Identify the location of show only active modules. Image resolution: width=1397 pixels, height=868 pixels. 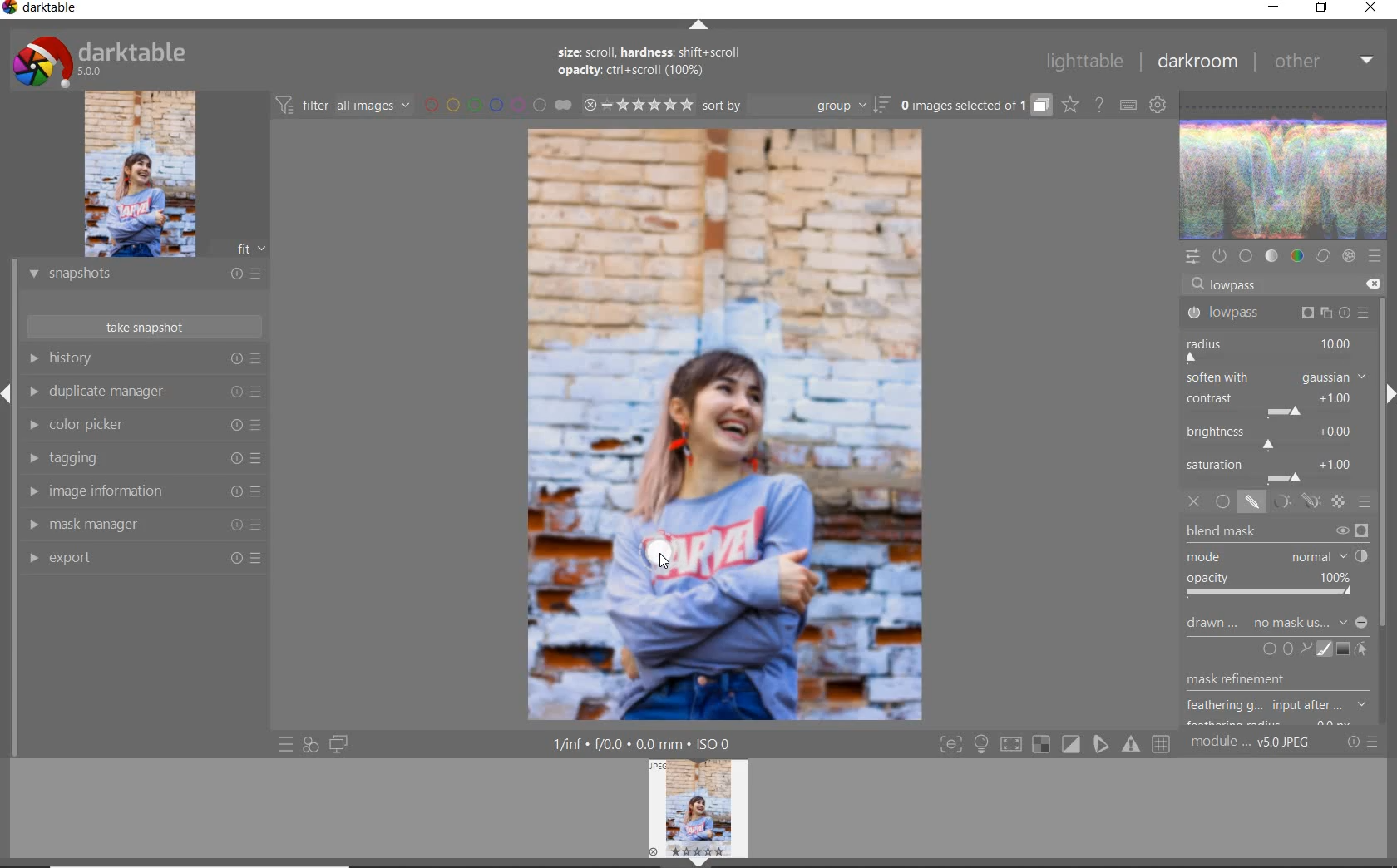
(1220, 257).